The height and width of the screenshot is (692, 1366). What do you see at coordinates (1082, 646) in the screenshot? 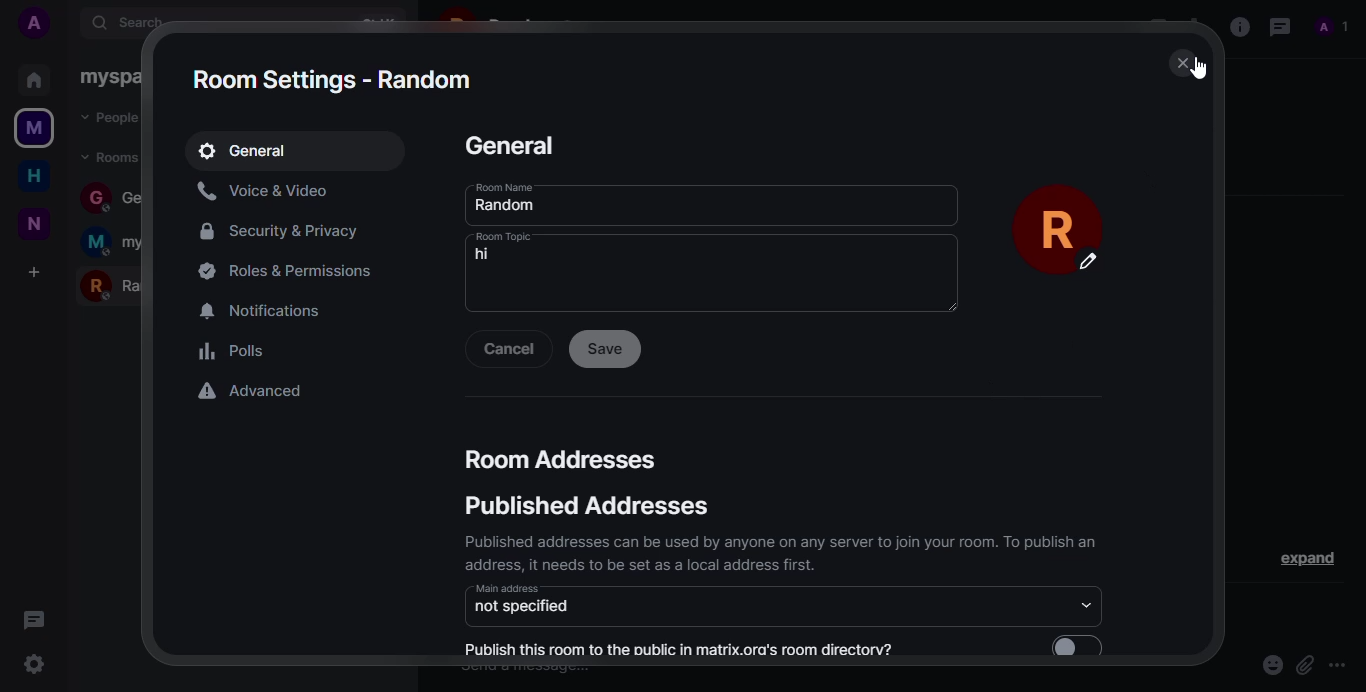
I see `enable` at bounding box center [1082, 646].